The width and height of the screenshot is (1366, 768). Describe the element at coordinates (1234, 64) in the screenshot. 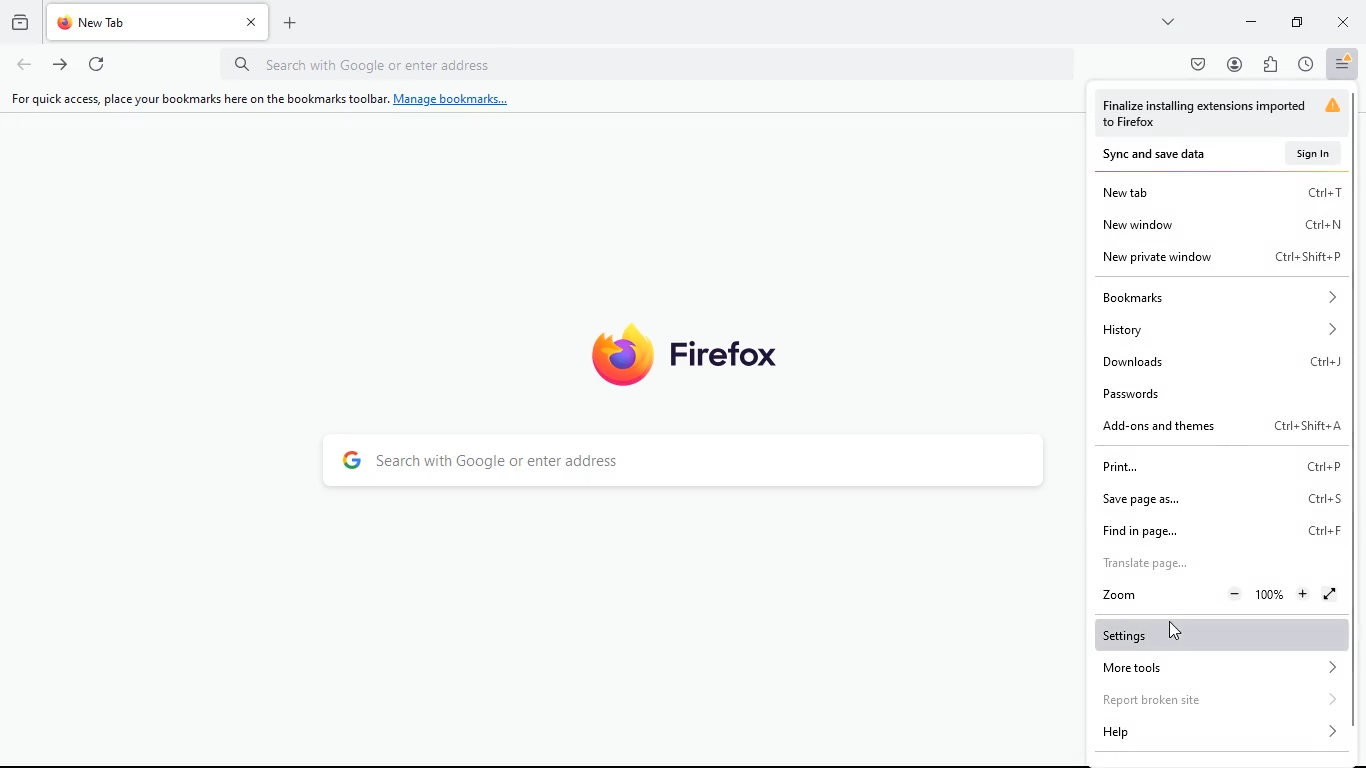

I see `profile` at that location.